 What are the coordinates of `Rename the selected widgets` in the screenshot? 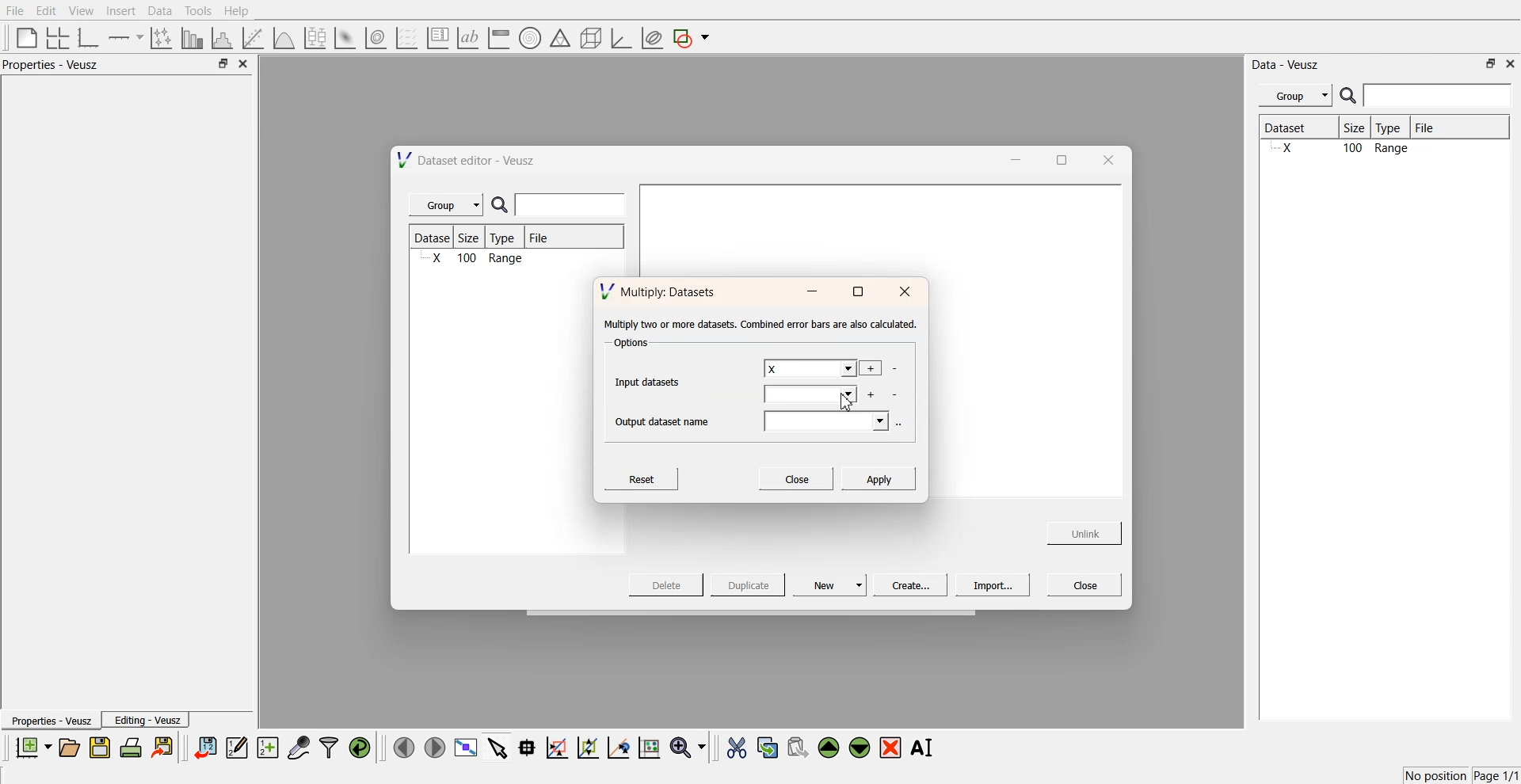 It's located at (925, 748).